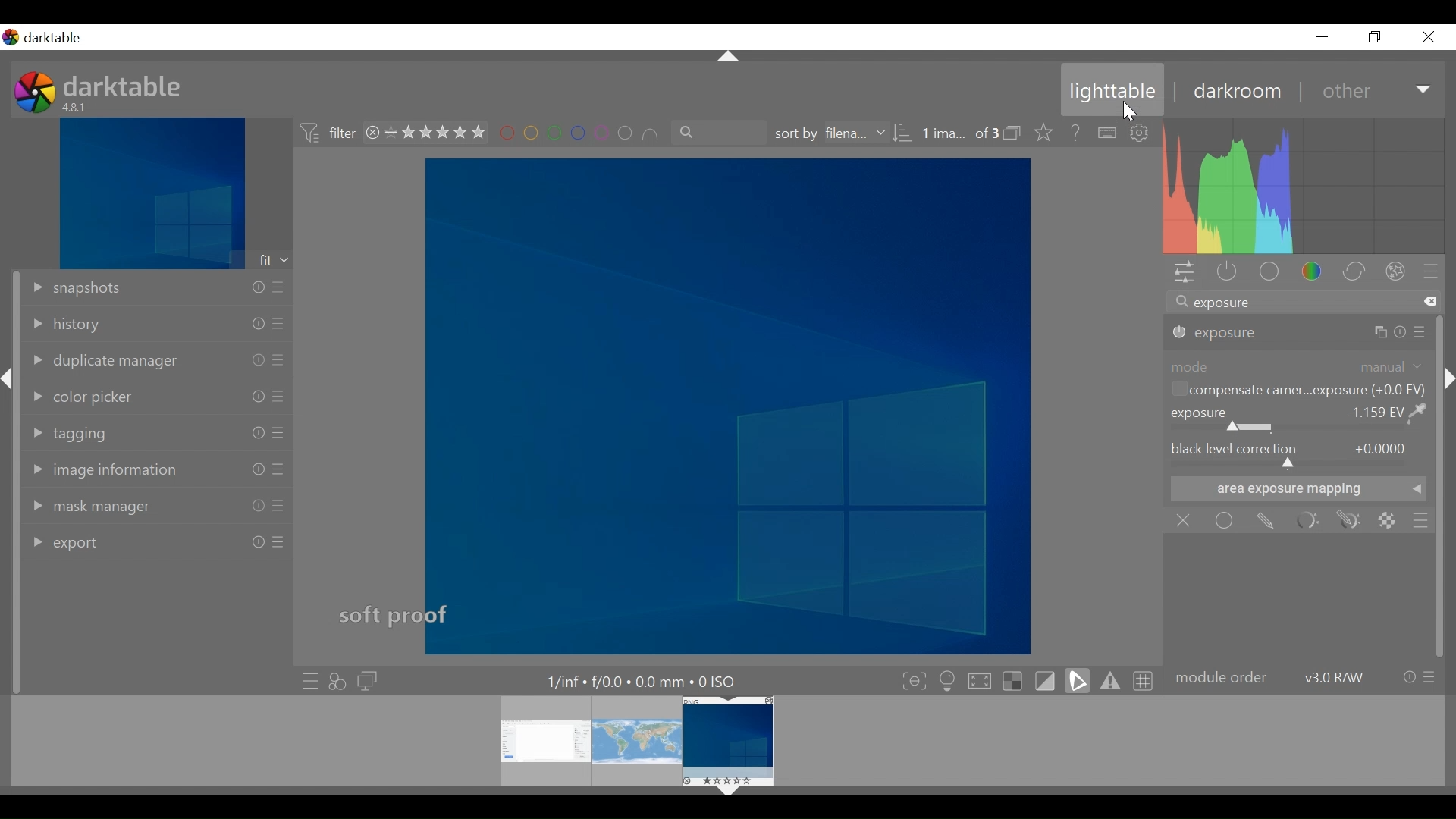 The image size is (1456, 819). What do you see at coordinates (337, 681) in the screenshot?
I see `quick access for applying any styles` at bounding box center [337, 681].